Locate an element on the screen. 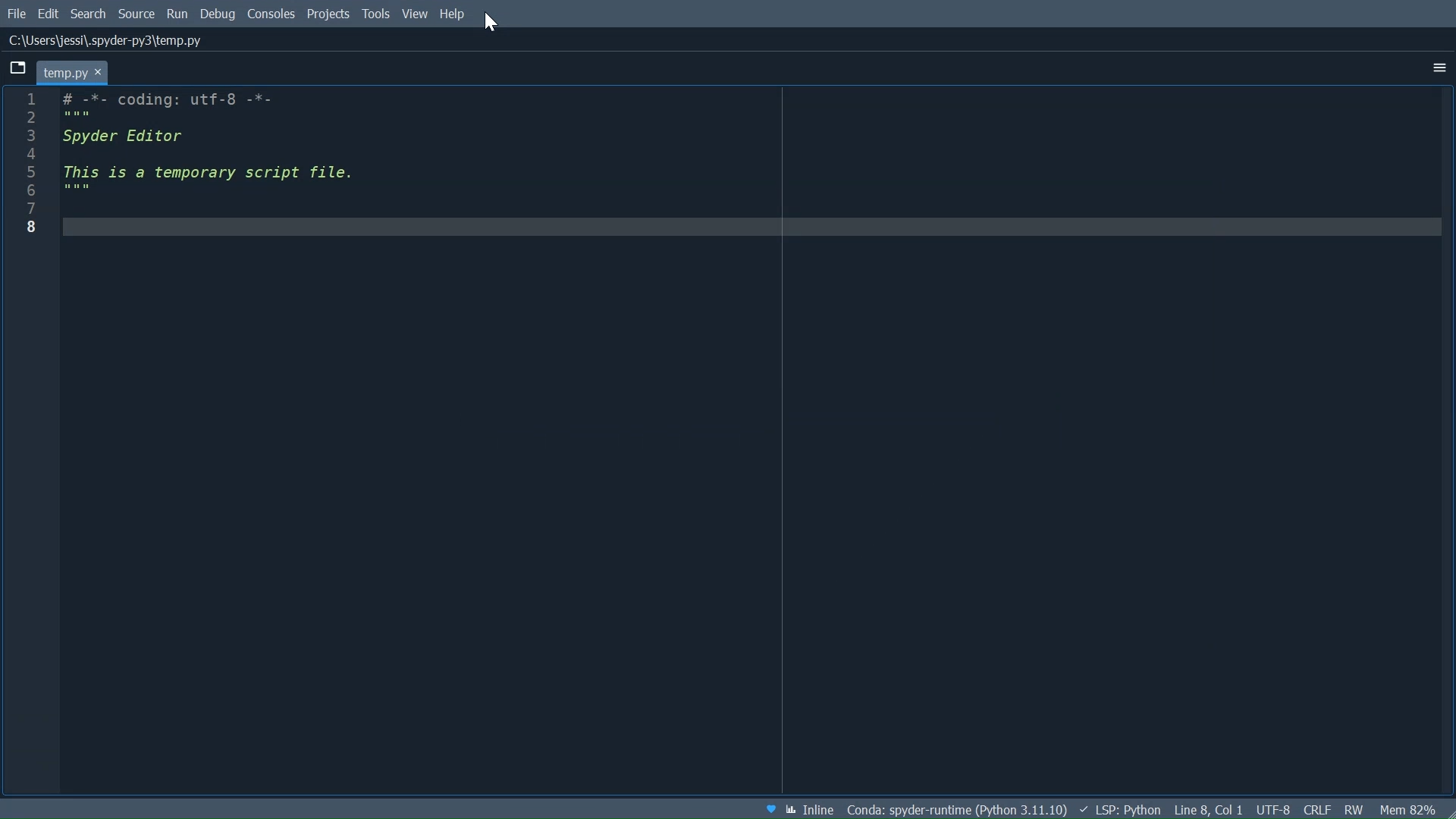  Help is located at coordinates (457, 13).